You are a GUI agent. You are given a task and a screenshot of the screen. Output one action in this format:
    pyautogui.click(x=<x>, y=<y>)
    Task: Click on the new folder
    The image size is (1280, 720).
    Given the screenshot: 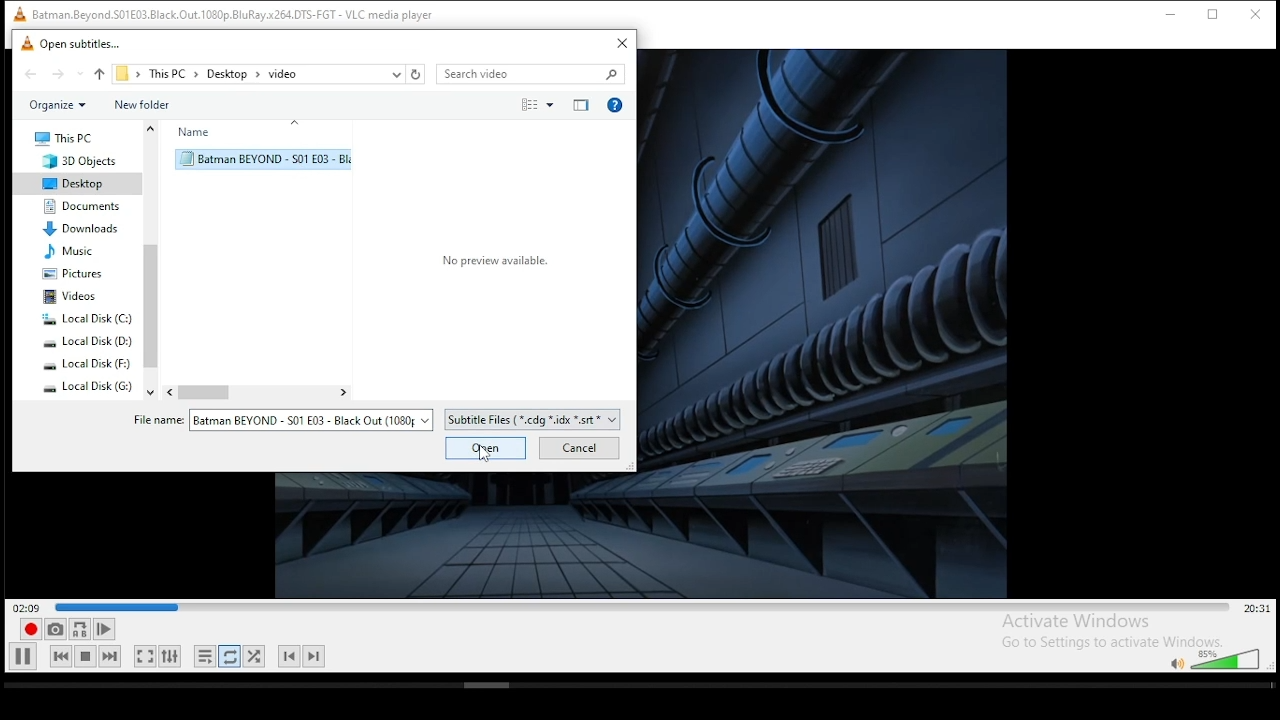 What is the action you would take?
    pyautogui.click(x=142, y=106)
    